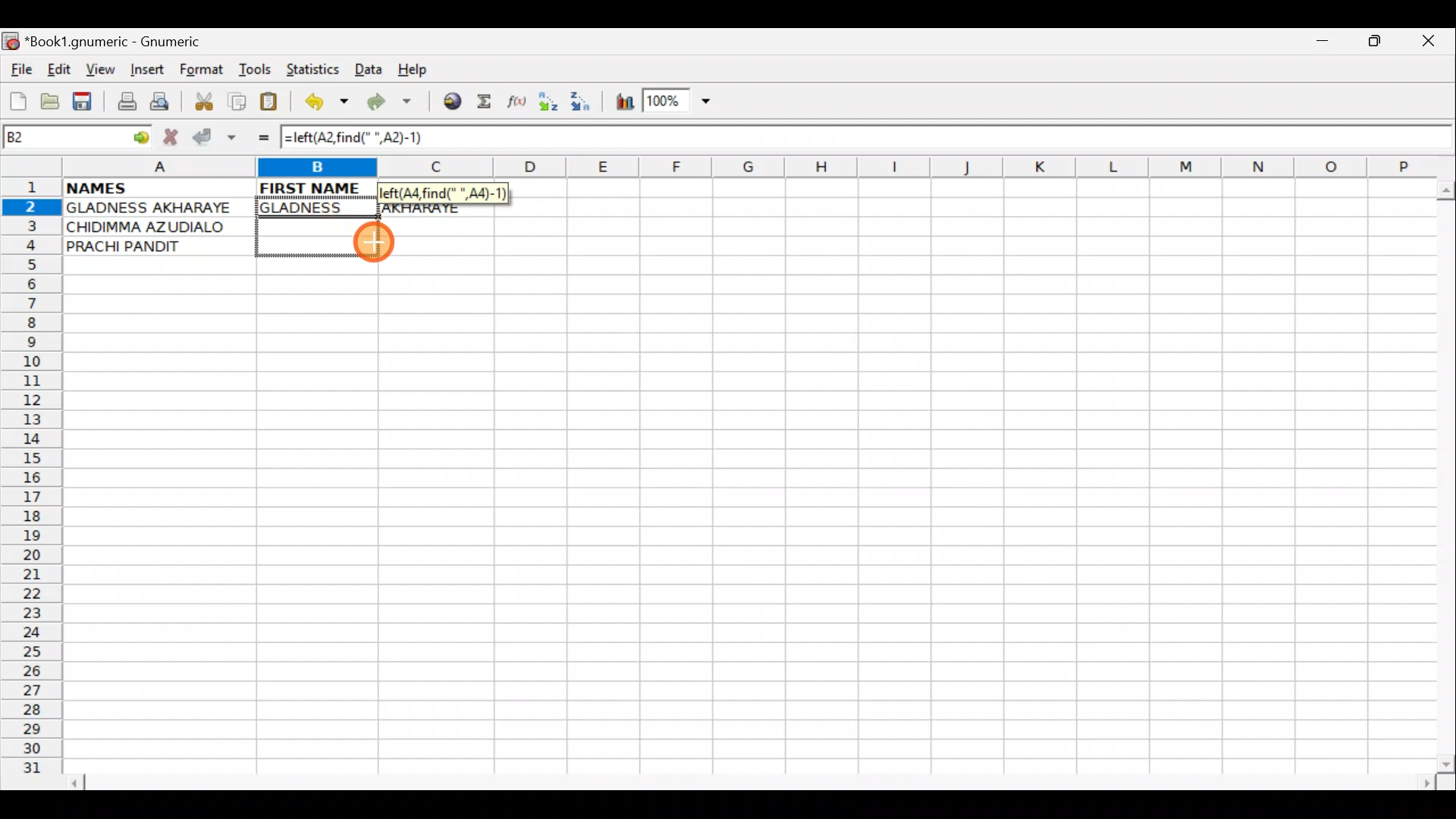 Image resolution: width=1456 pixels, height=819 pixels. What do you see at coordinates (152, 227) in the screenshot?
I see `CHIDIMMA AZUDIALO` at bounding box center [152, 227].